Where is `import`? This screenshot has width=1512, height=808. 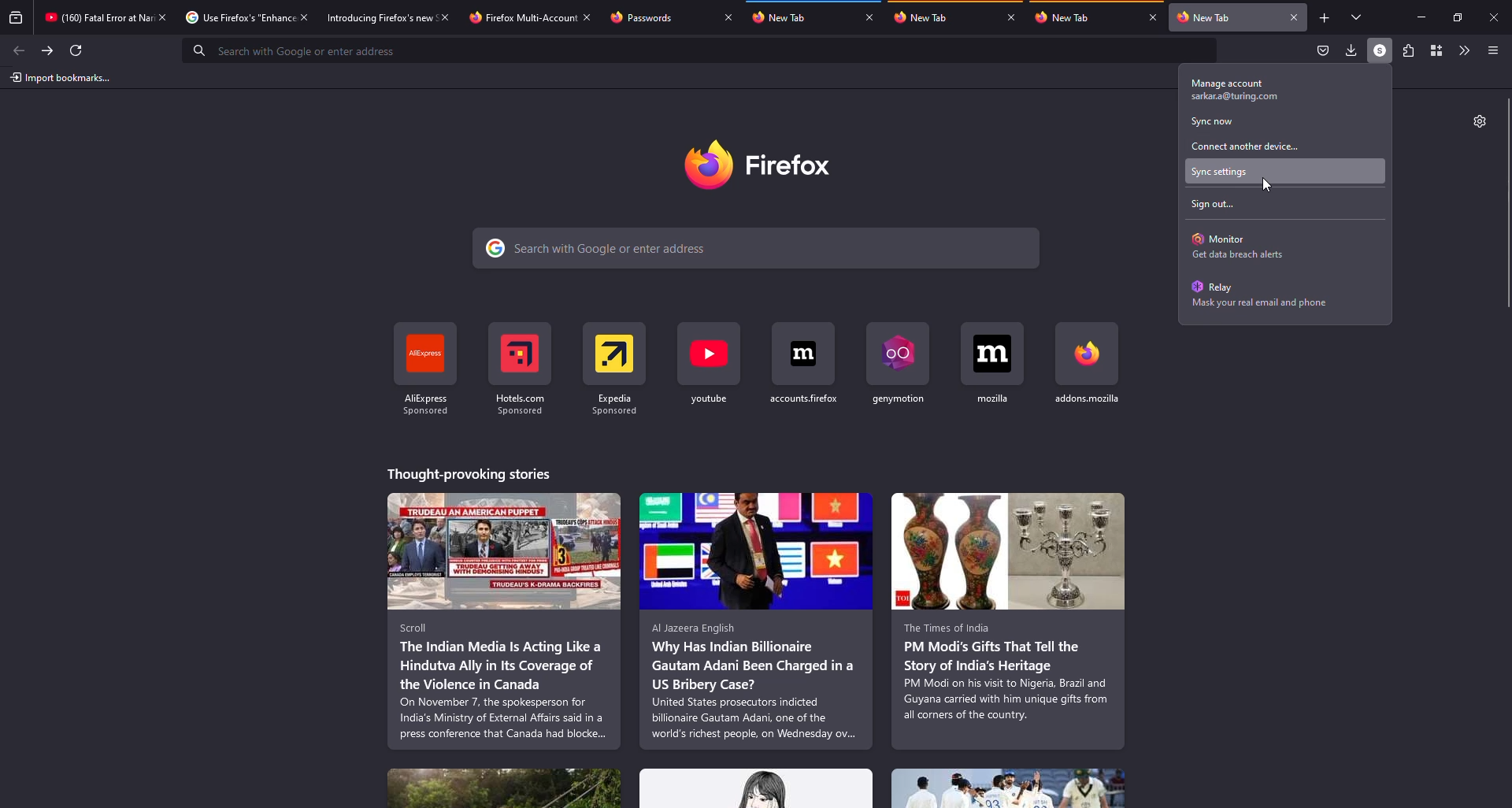
import is located at coordinates (61, 78).